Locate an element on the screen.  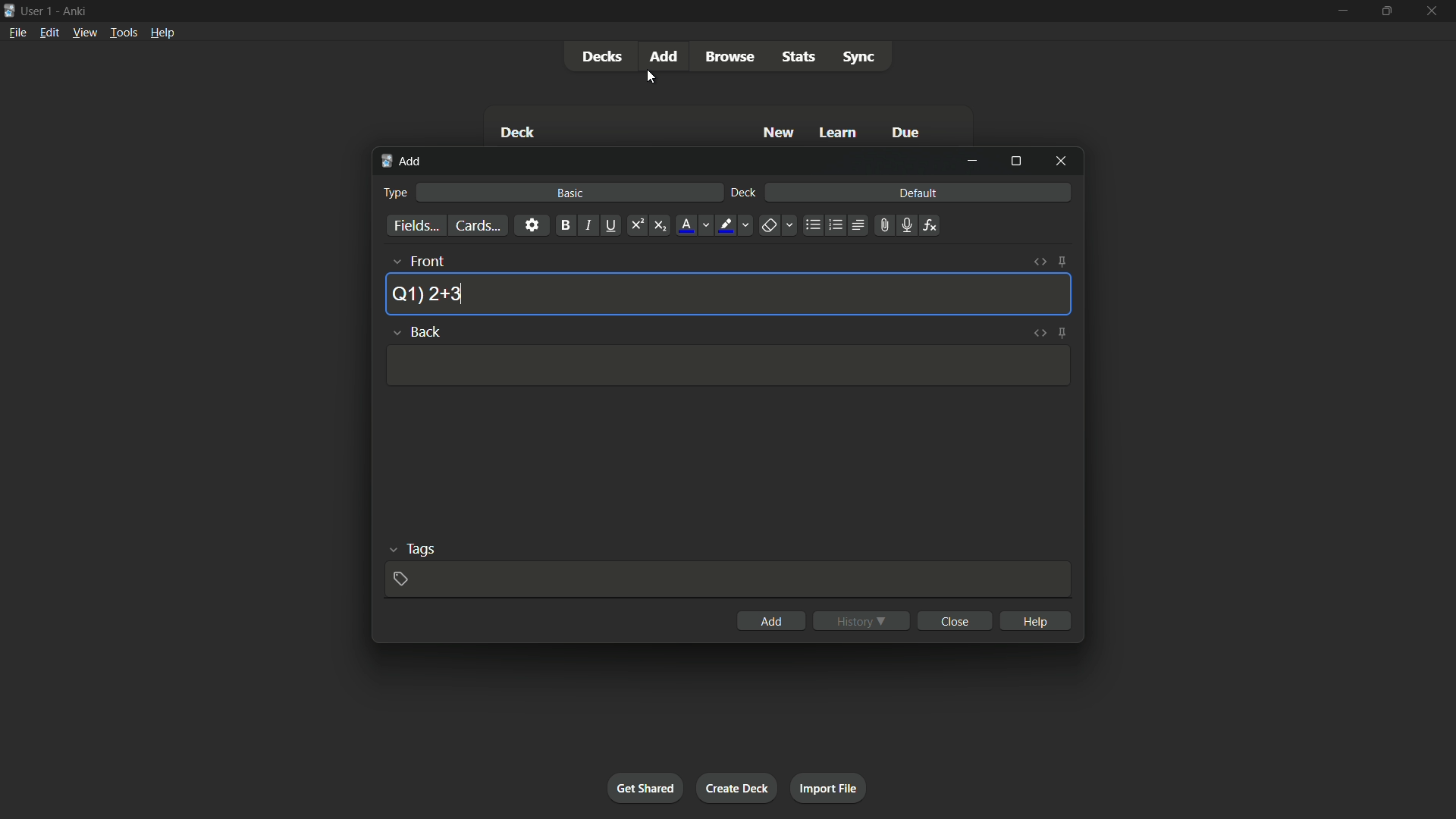
question is located at coordinates (427, 293).